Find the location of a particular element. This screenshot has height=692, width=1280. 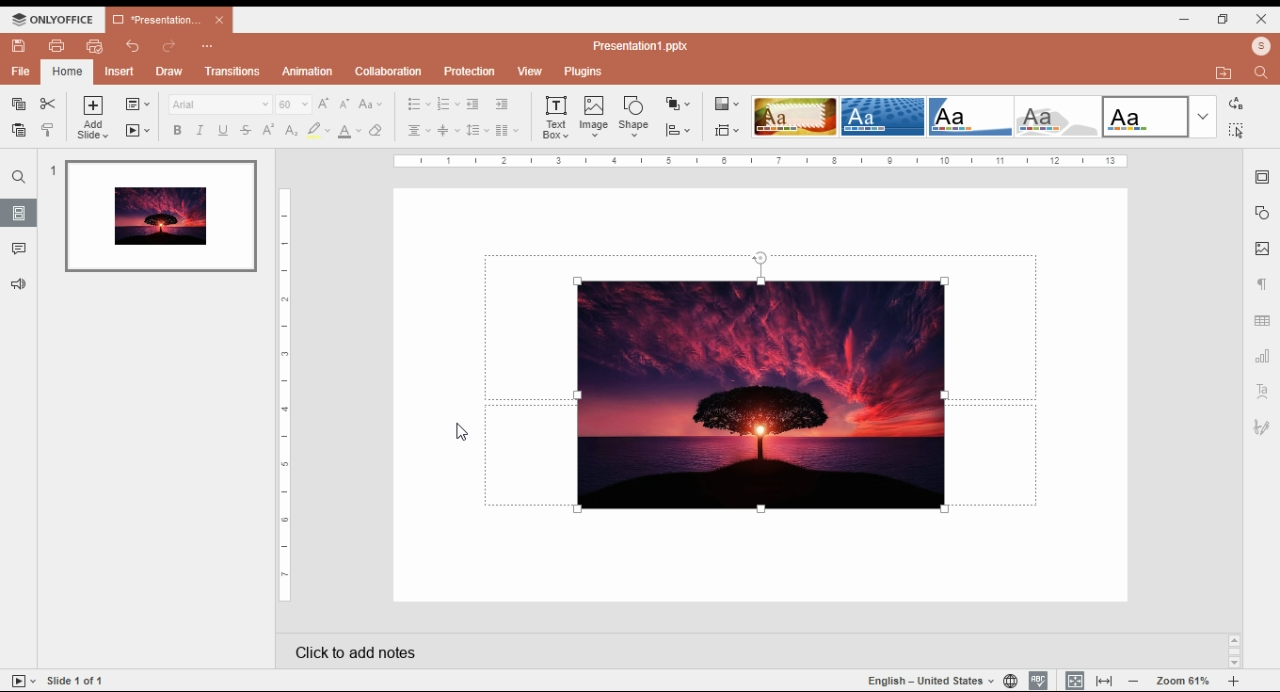

paragraph settings is located at coordinates (1261, 284).